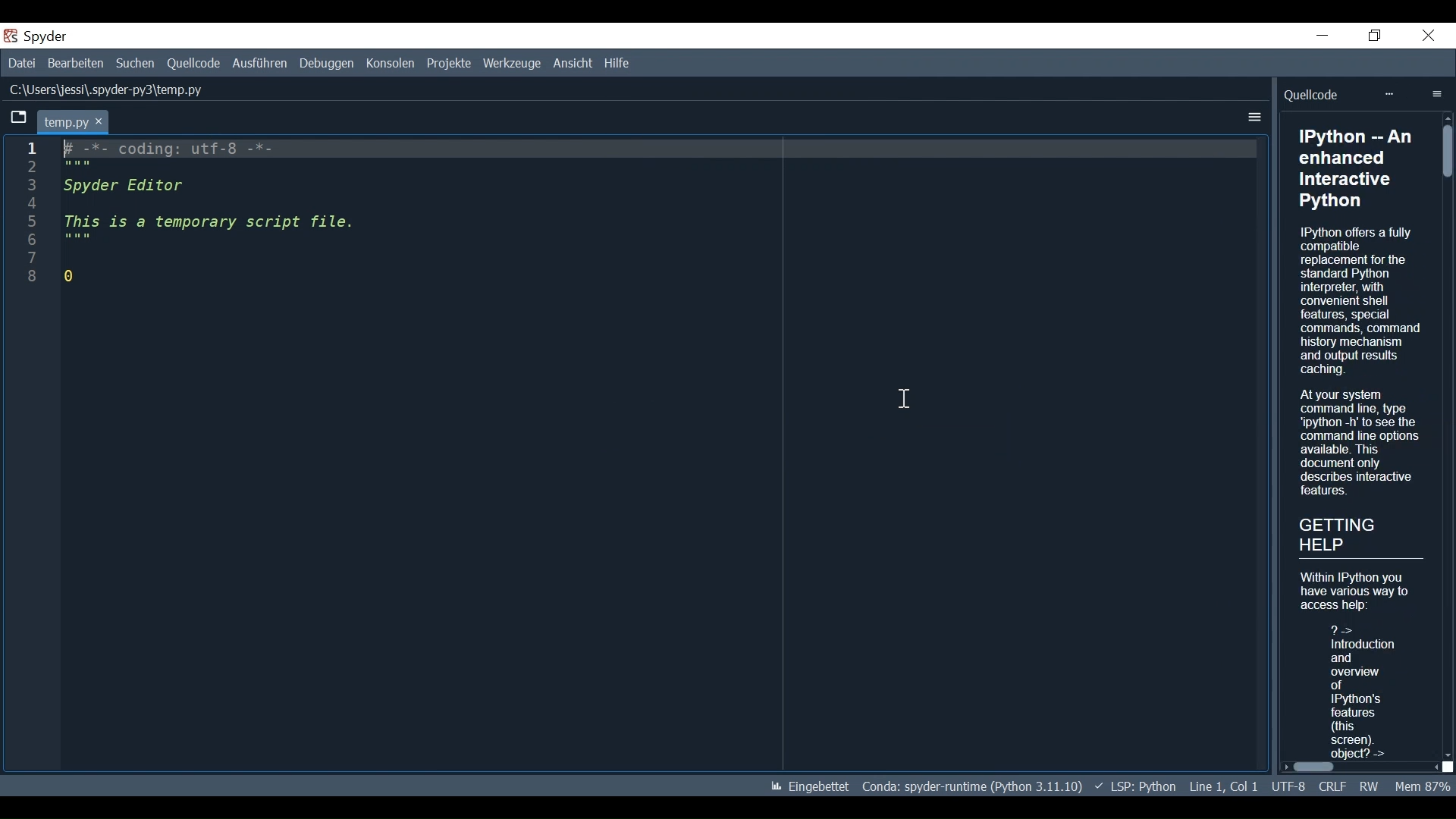  I want to click on Browse Tab, so click(17, 119).